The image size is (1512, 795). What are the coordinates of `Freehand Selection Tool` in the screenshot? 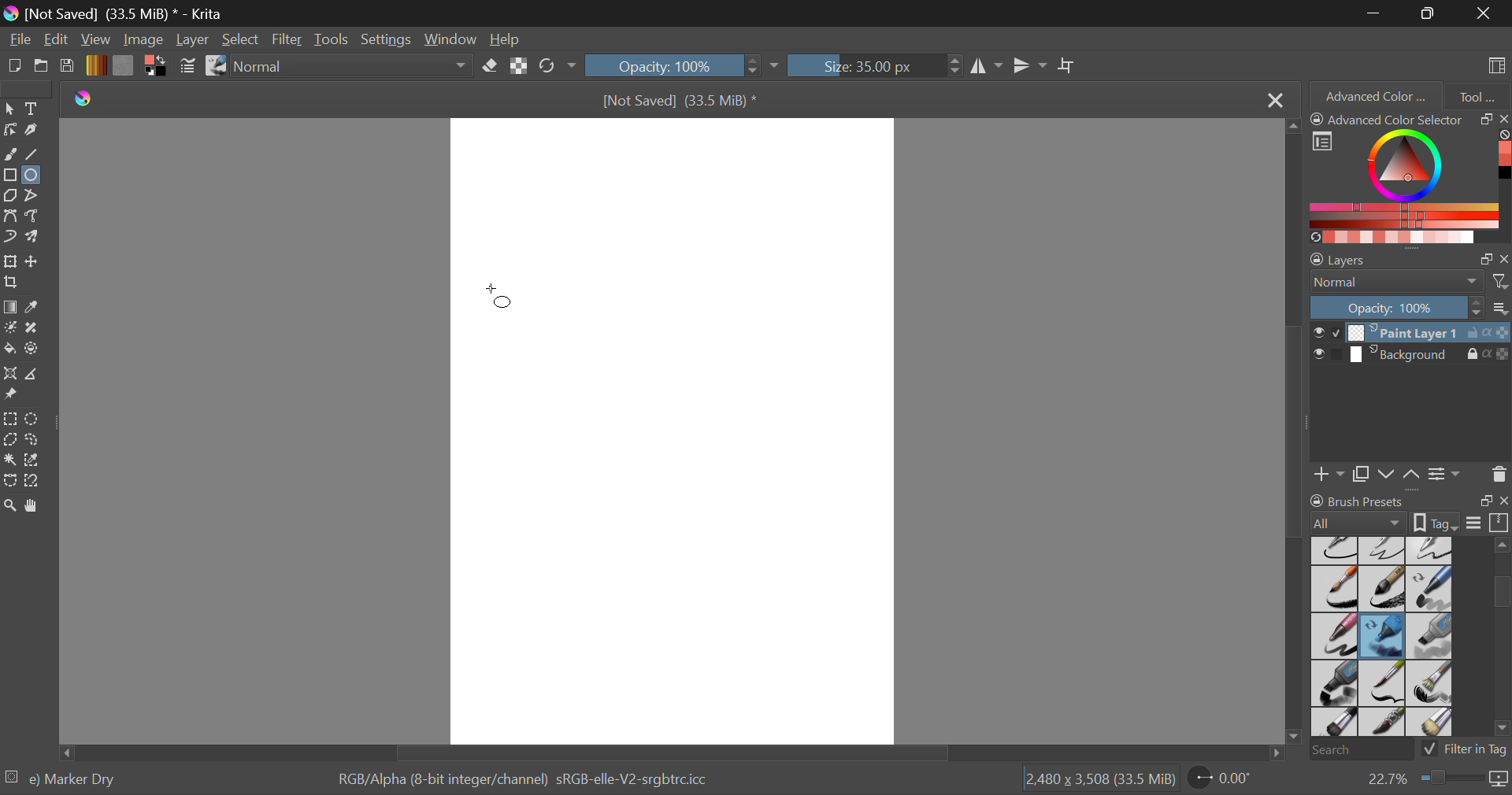 It's located at (34, 439).